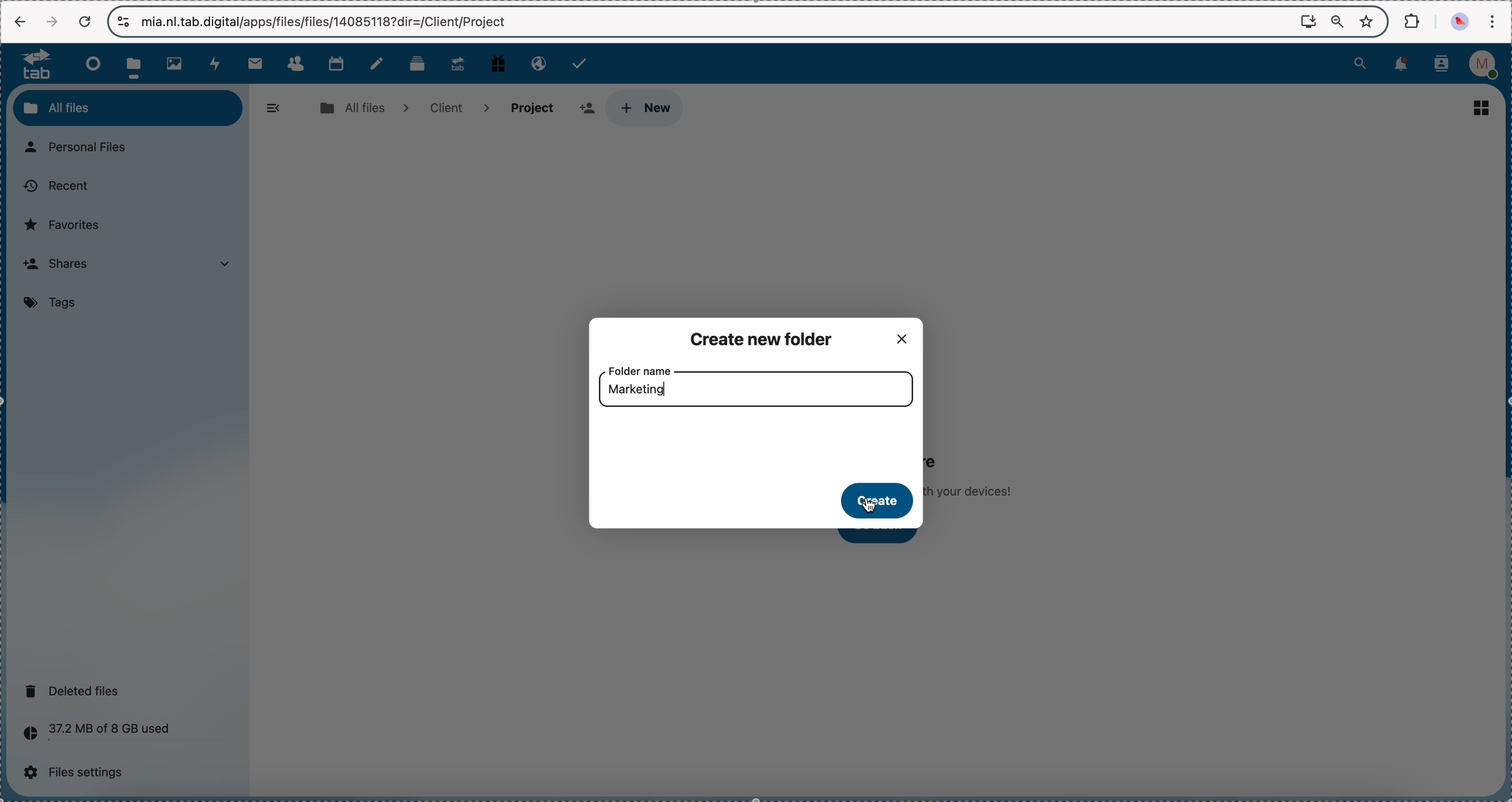 The width and height of the screenshot is (1512, 802). Describe the element at coordinates (326, 22) in the screenshot. I see `url` at that location.